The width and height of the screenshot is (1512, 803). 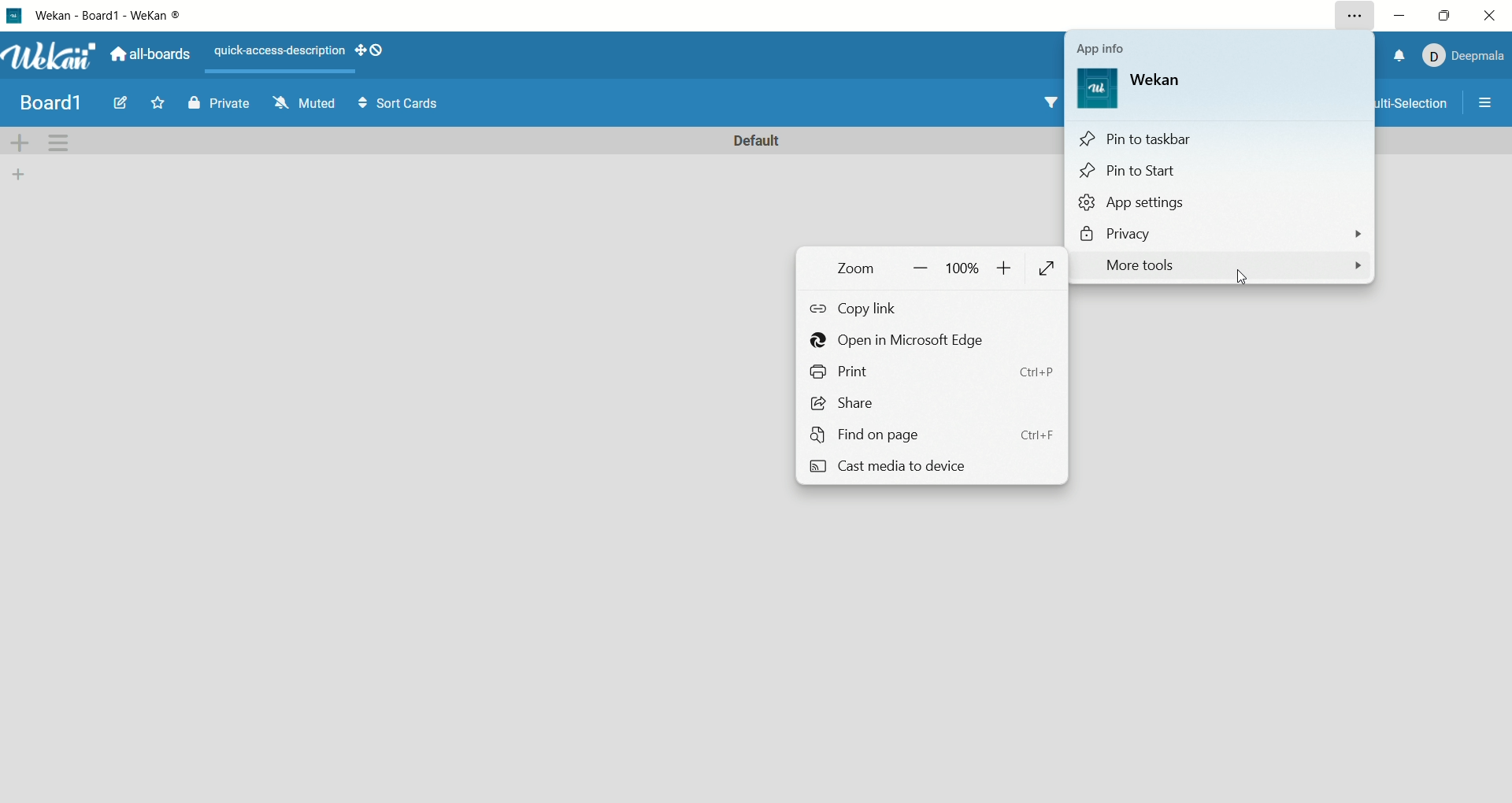 What do you see at coordinates (1492, 13) in the screenshot?
I see `close` at bounding box center [1492, 13].